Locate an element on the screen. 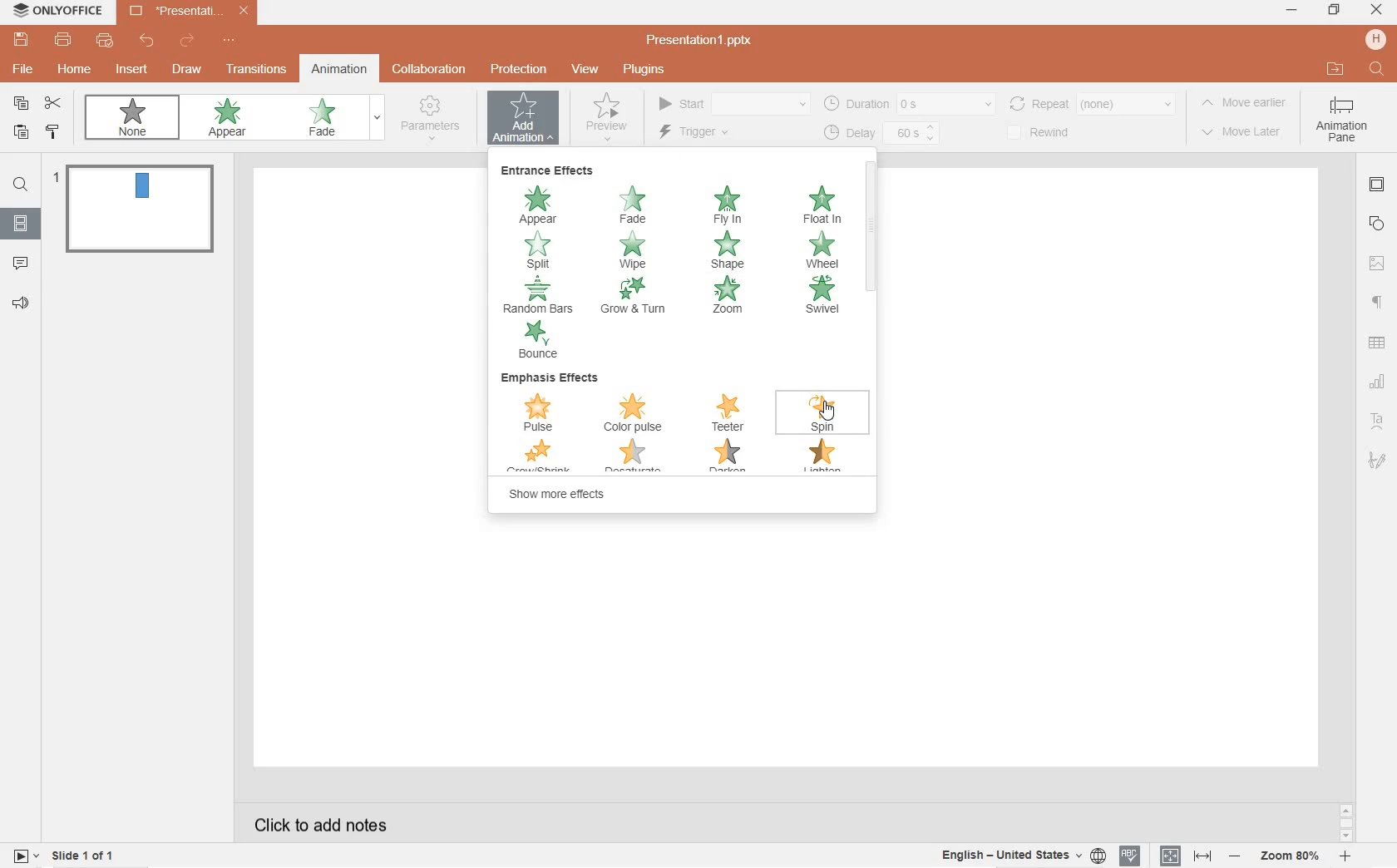 Image resolution: width=1397 pixels, height=868 pixels. find is located at coordinates (20, 187).